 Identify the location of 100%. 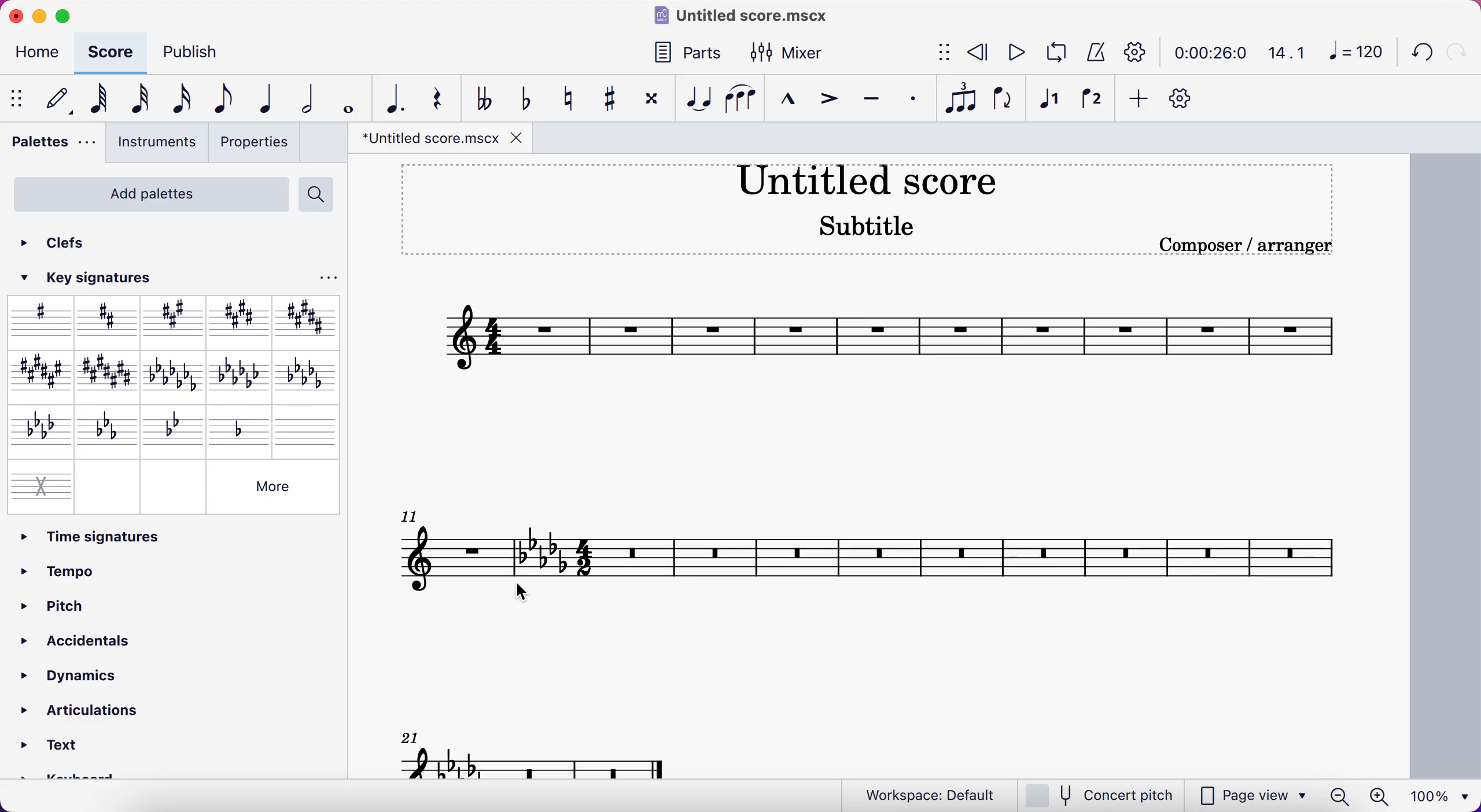
(1442, 796).